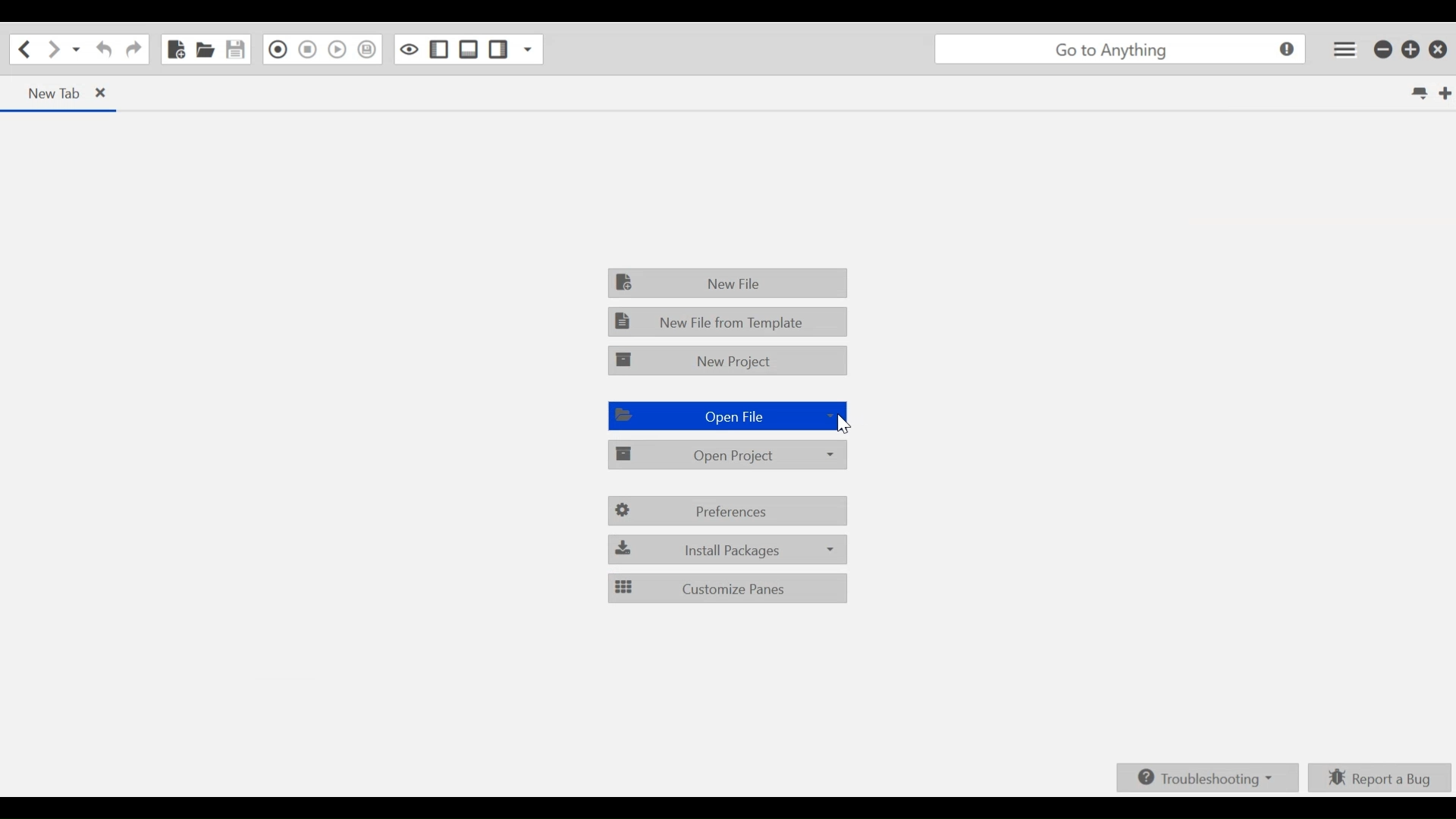  What do you see at coordinates (726, 589) in the screenshot?
I see `Customize Panes` at bounding box center [726, 589].